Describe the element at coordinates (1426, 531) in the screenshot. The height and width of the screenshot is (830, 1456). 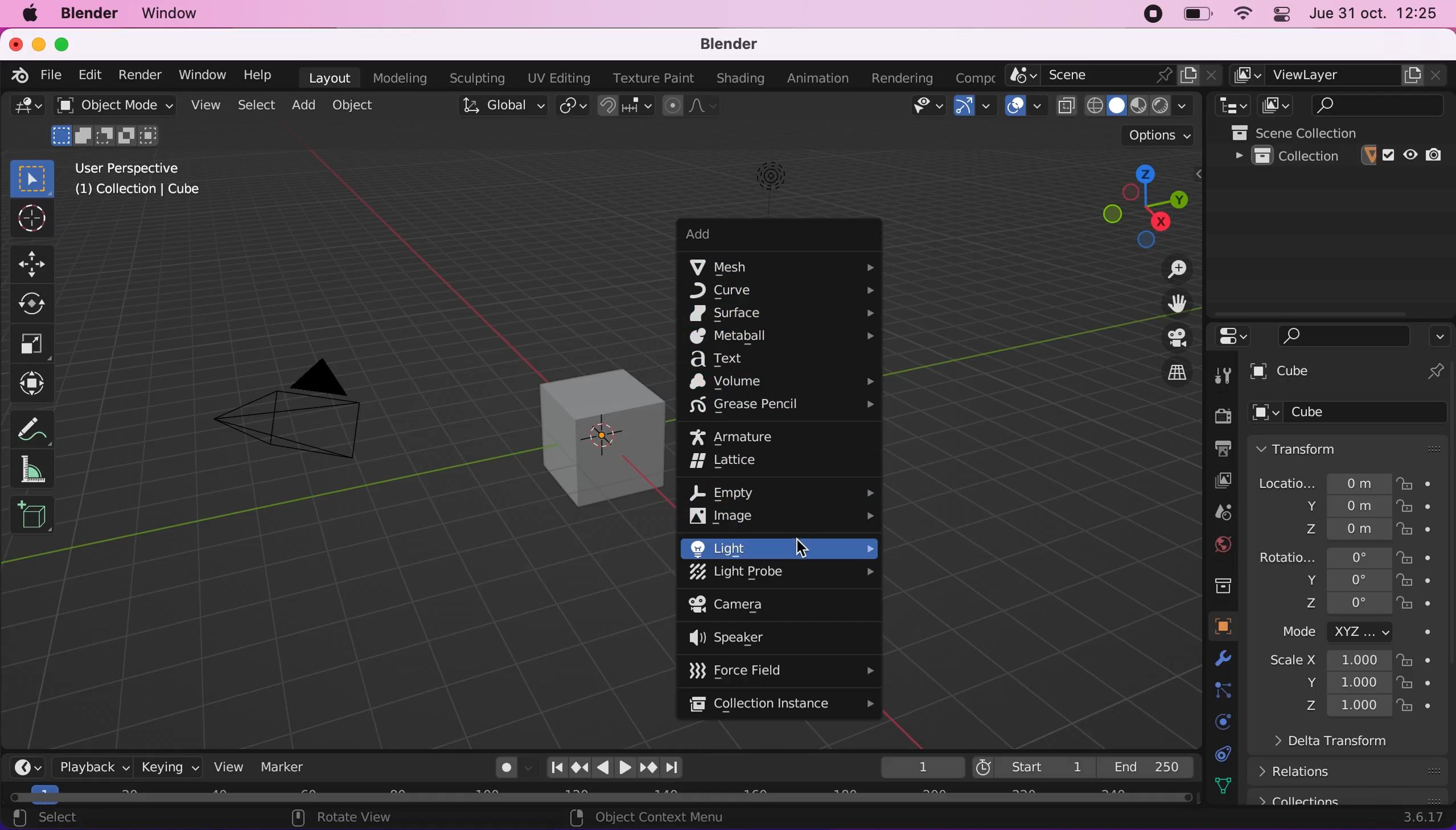
I see `lock` at that location.